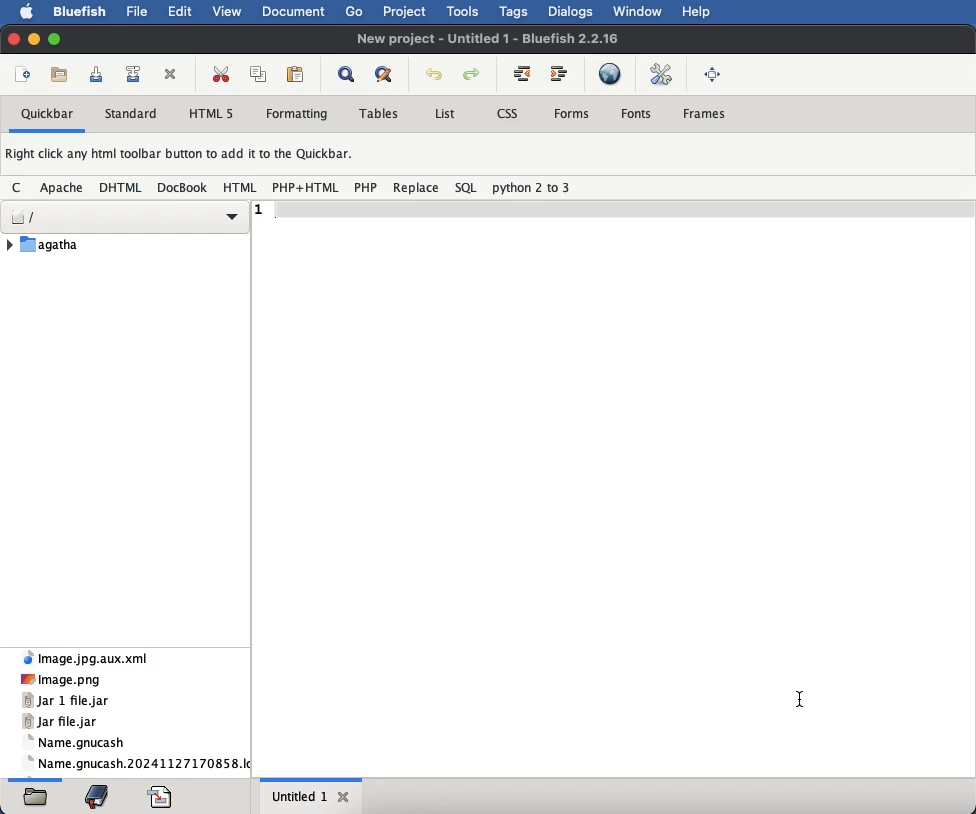 This screenshot has width=976, height=814. Describe the element at coordinates (226, 14) in the screenshot. I see `view` at that location.